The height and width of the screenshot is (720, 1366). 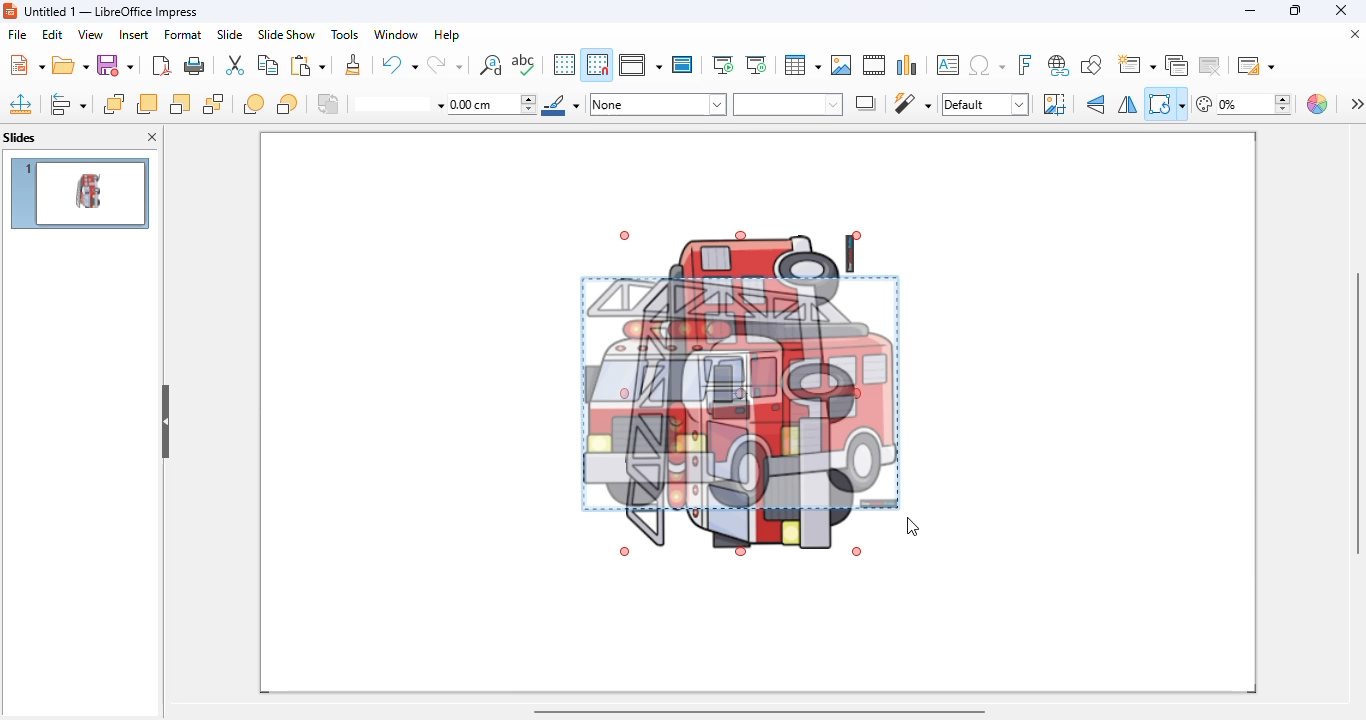 I want to click on align objects, so click(x=68, y=104).